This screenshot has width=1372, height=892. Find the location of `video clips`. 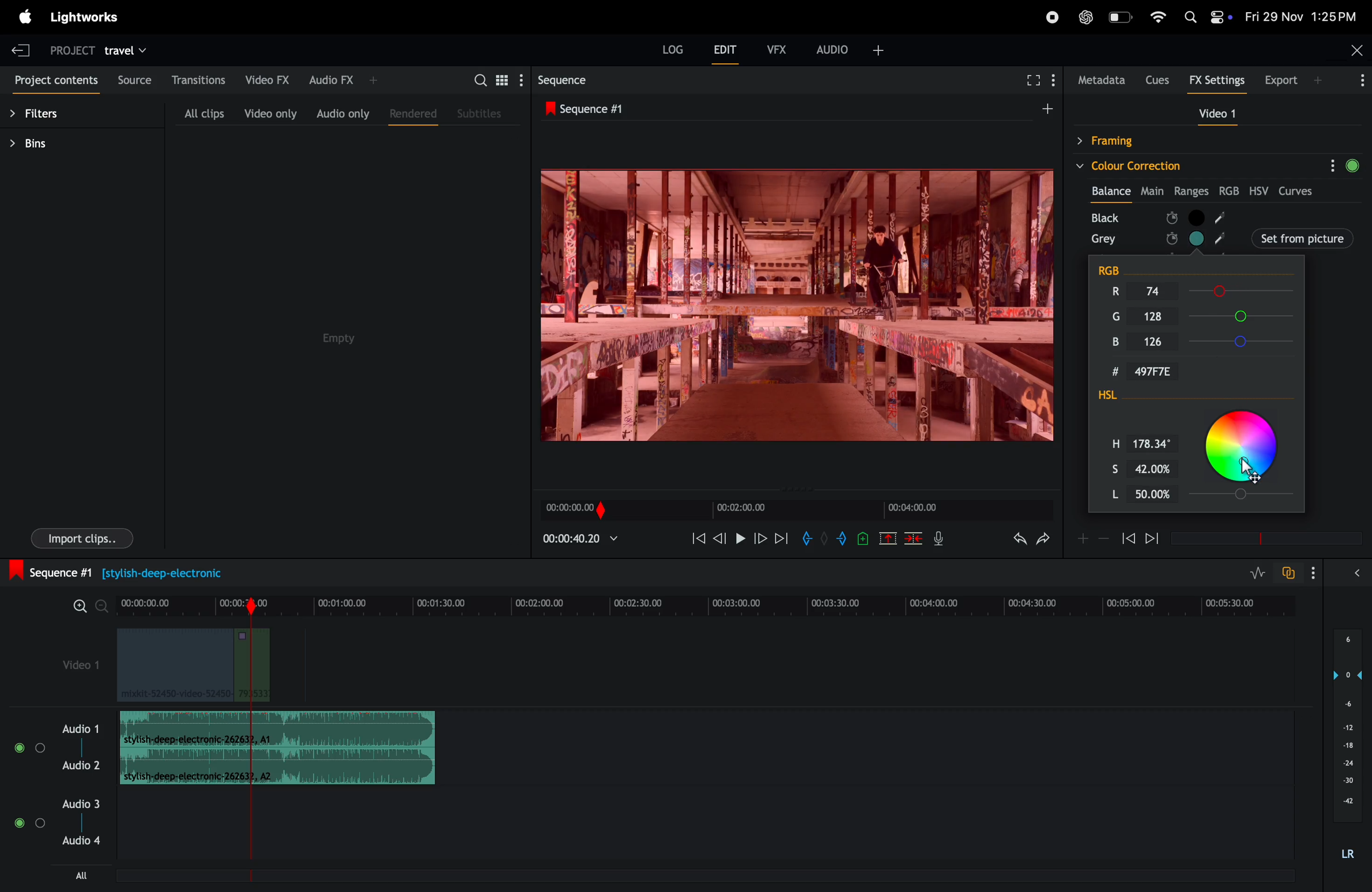

video clips is located at coordinates (193, 666).